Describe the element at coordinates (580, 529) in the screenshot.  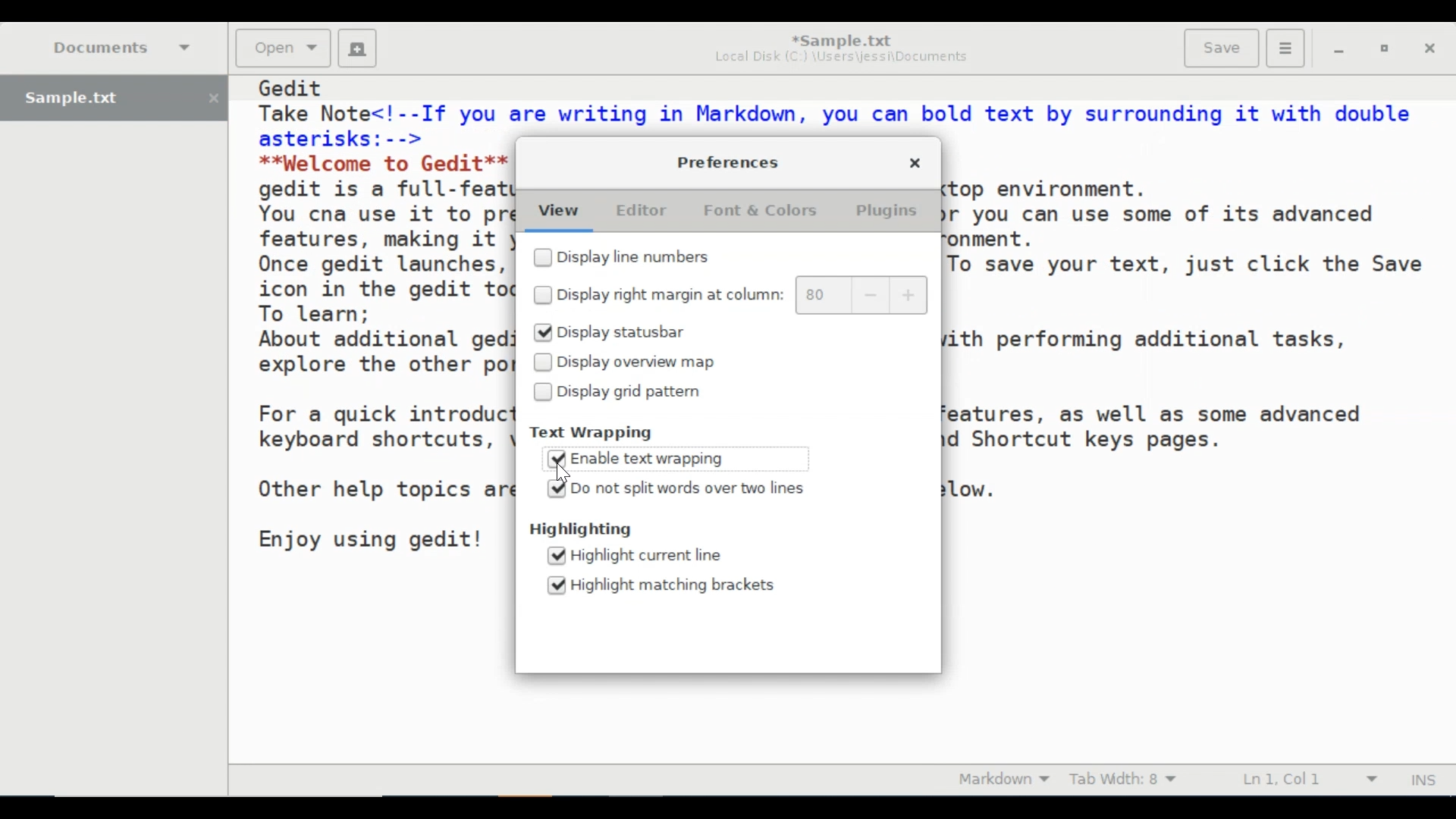
I see `Highlighting` at that location.